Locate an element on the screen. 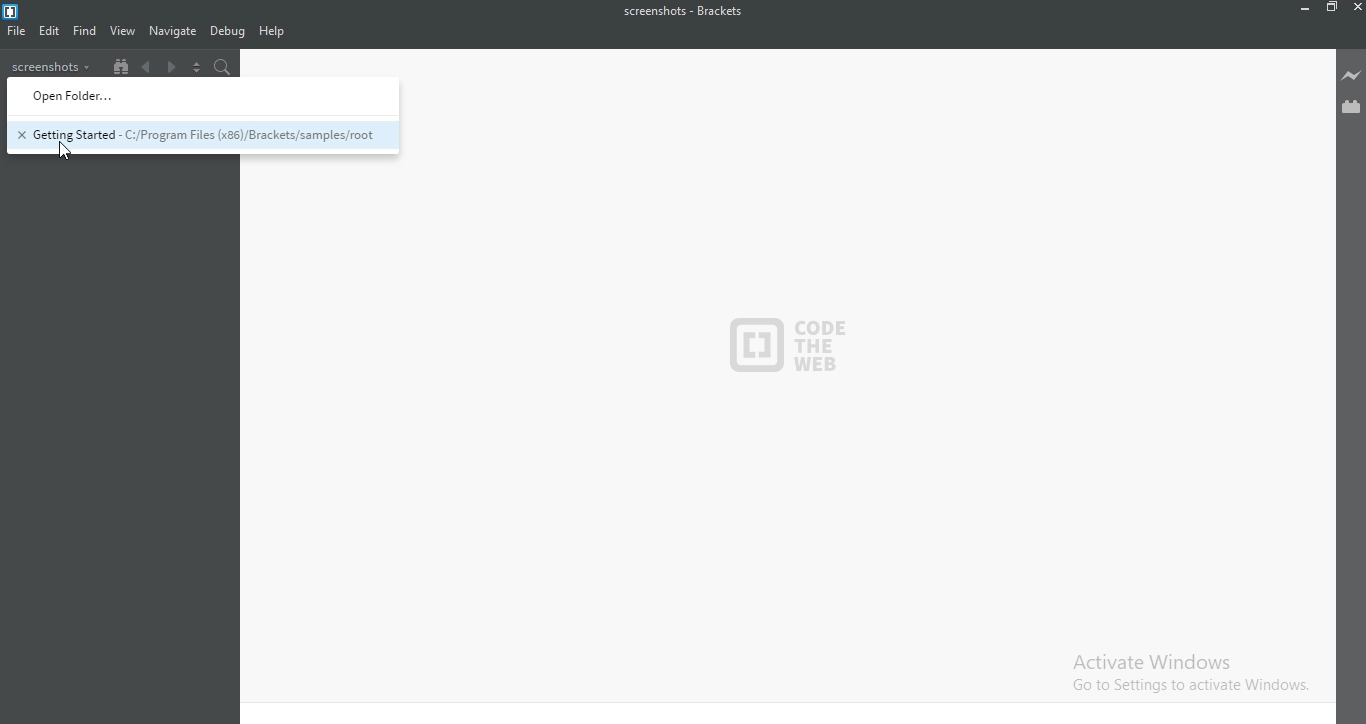 This screenshot has height=724, width=1366. help is located at coordinates (271, 31).